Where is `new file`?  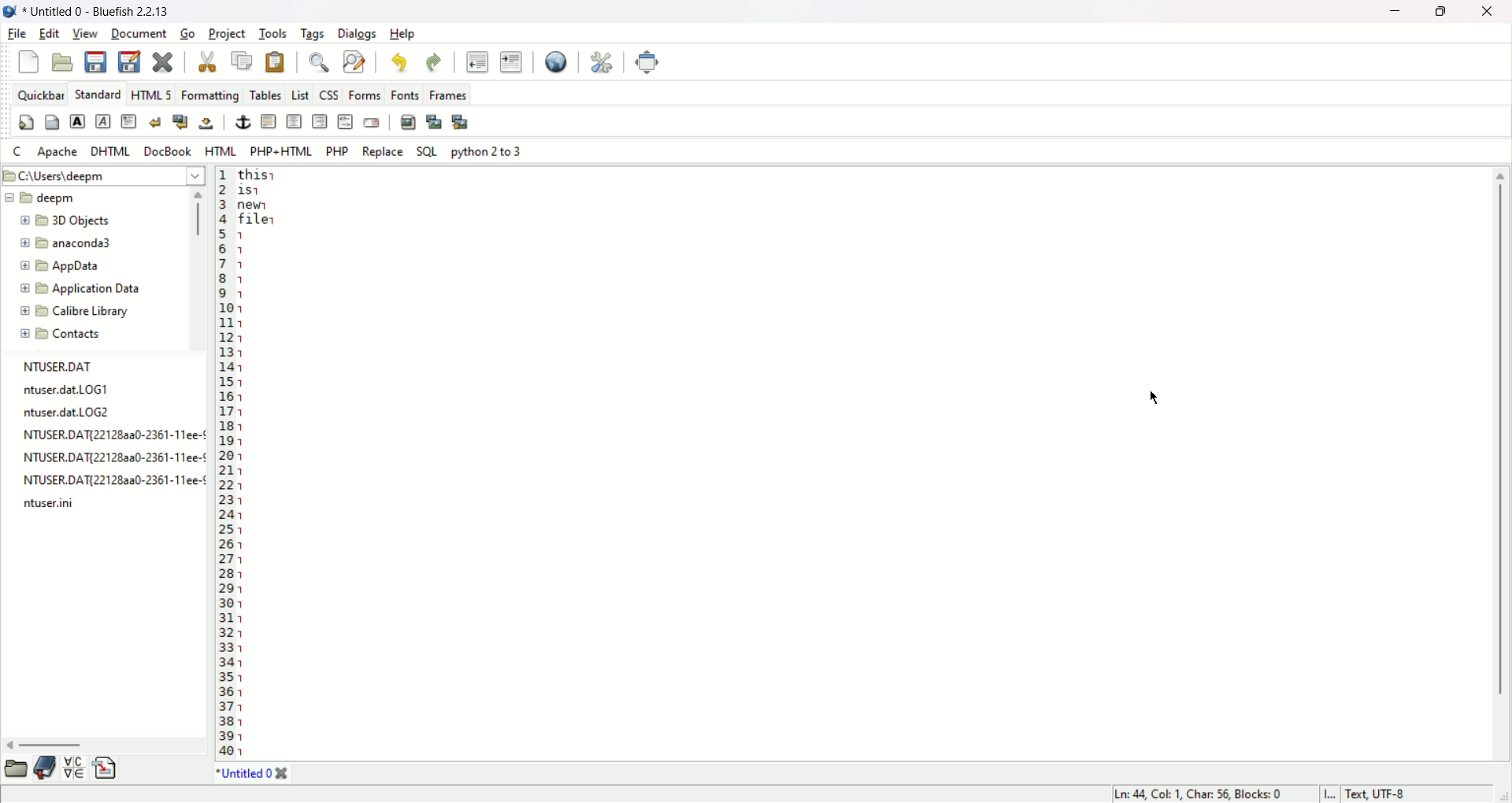 new file is located at coordinates (27, 62).